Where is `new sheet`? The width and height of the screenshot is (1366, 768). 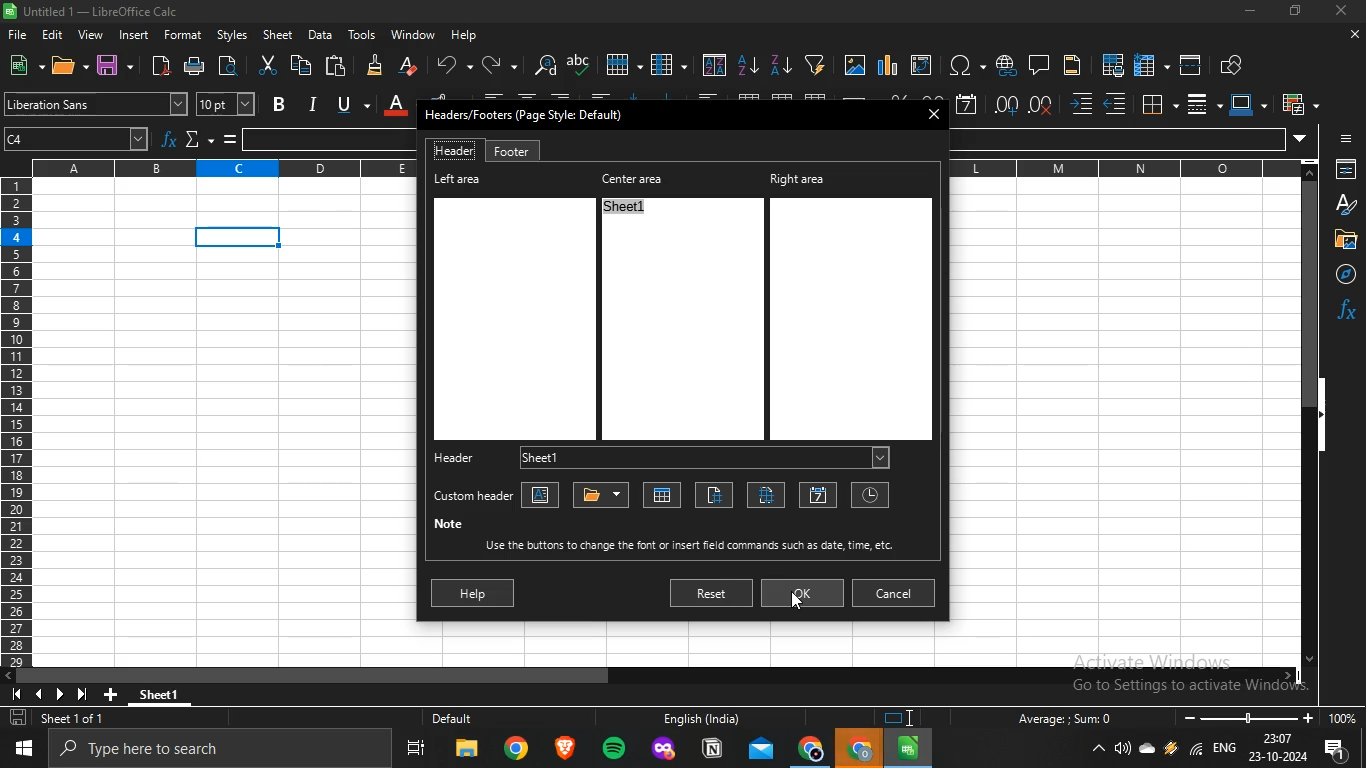
new sheet is located at coordinates (115, 692).